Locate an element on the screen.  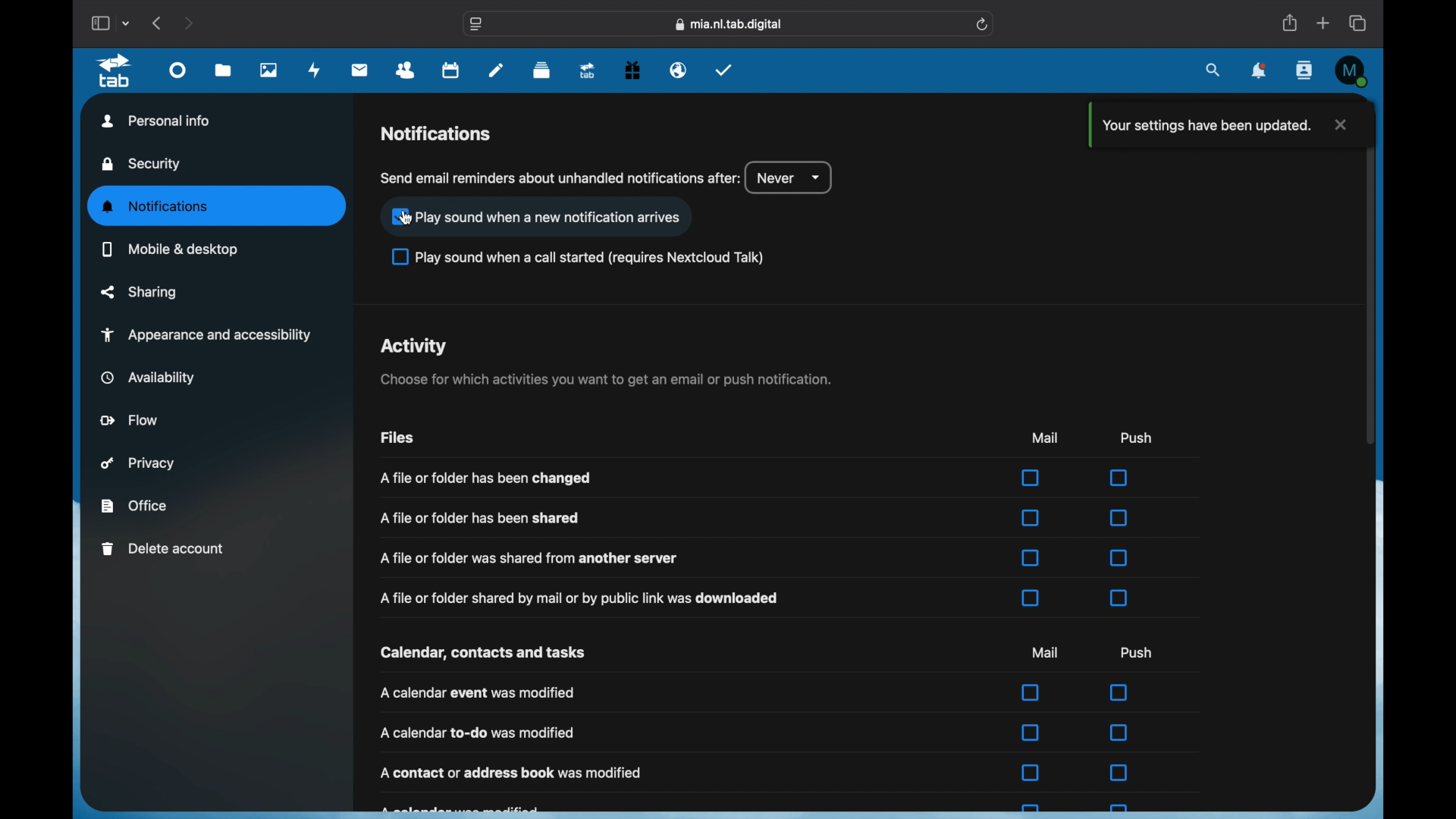
show tab overview is located at coordinates (1359, 23).